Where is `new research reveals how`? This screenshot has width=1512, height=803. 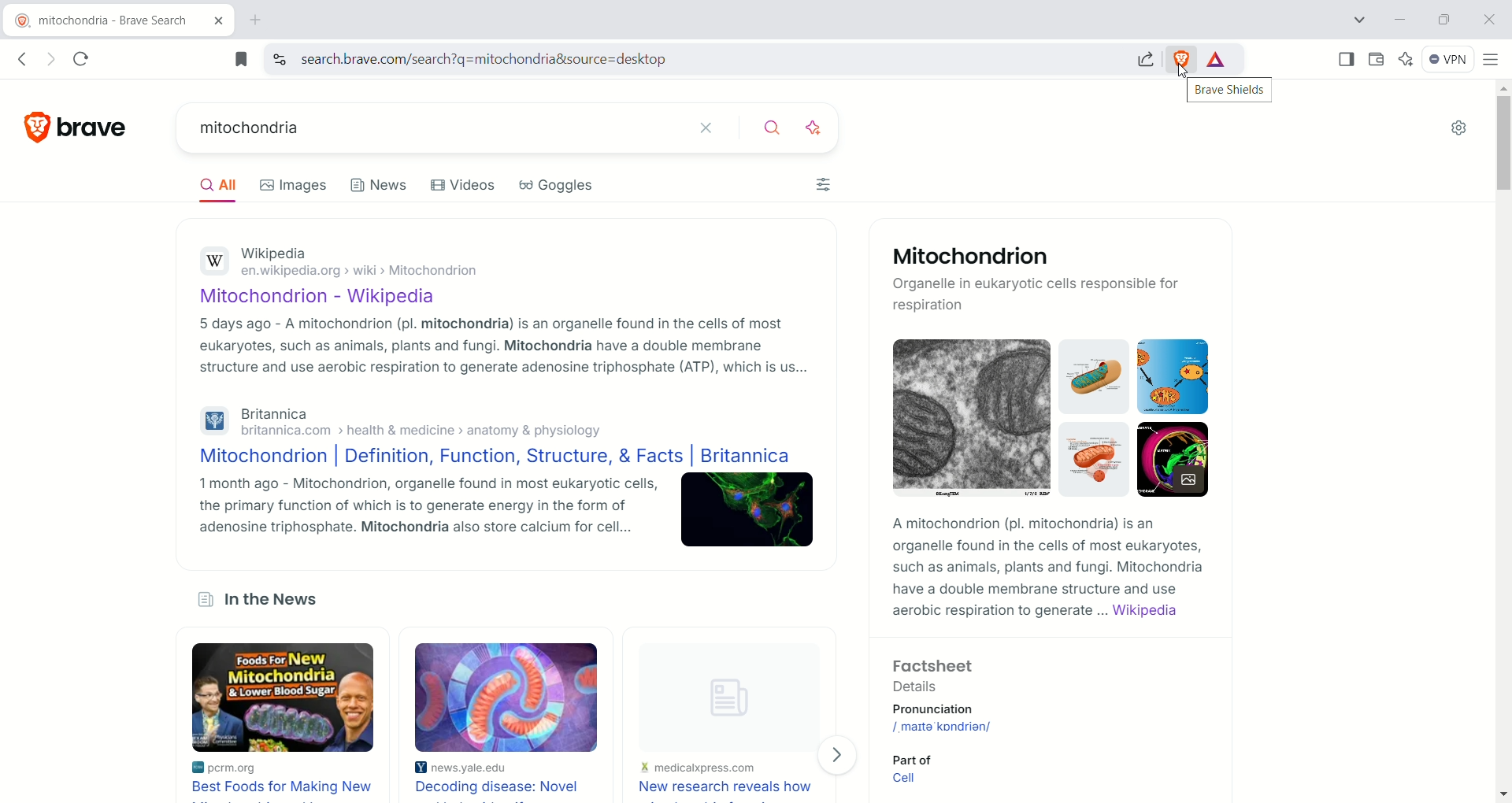
new research reveals how is located at coordinates (724, 786).